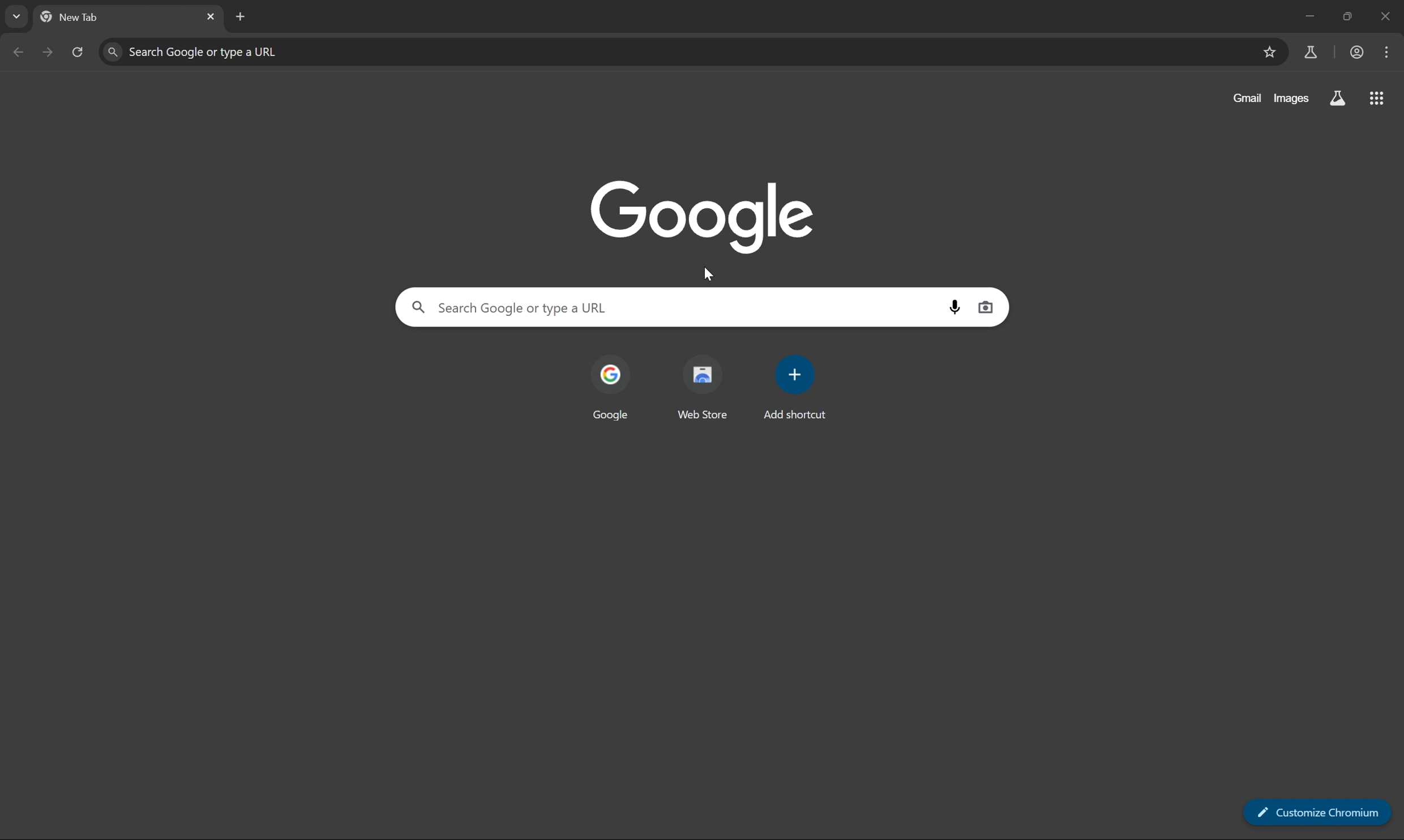 The height and width of the screenshot is (840, 1404). What do you see at coordinates (1377, 97) in the screenshot?
I see `apps` at bounding box center [1377, 97].